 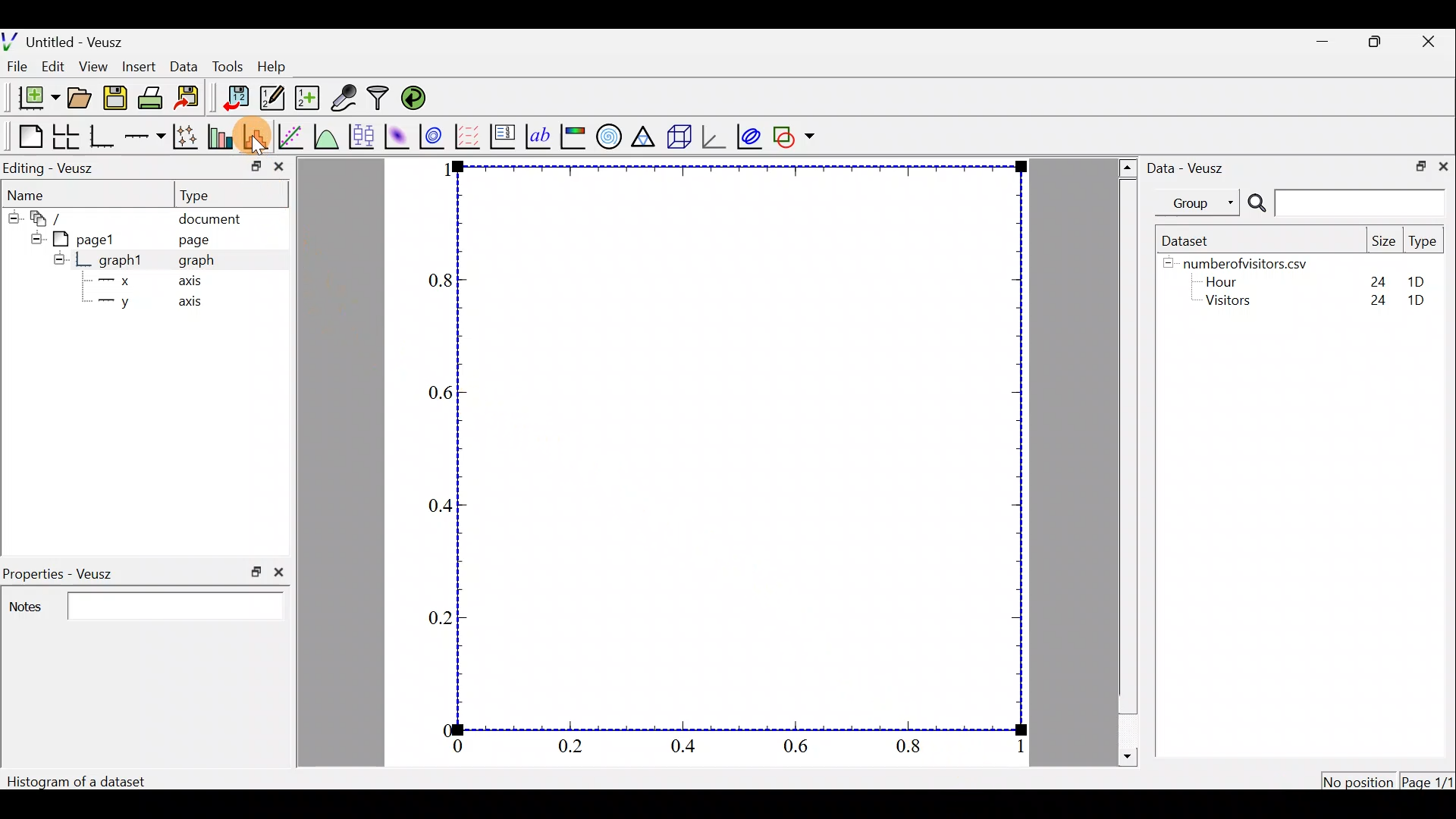 I want to click on page1, so click(x=90, y=240).